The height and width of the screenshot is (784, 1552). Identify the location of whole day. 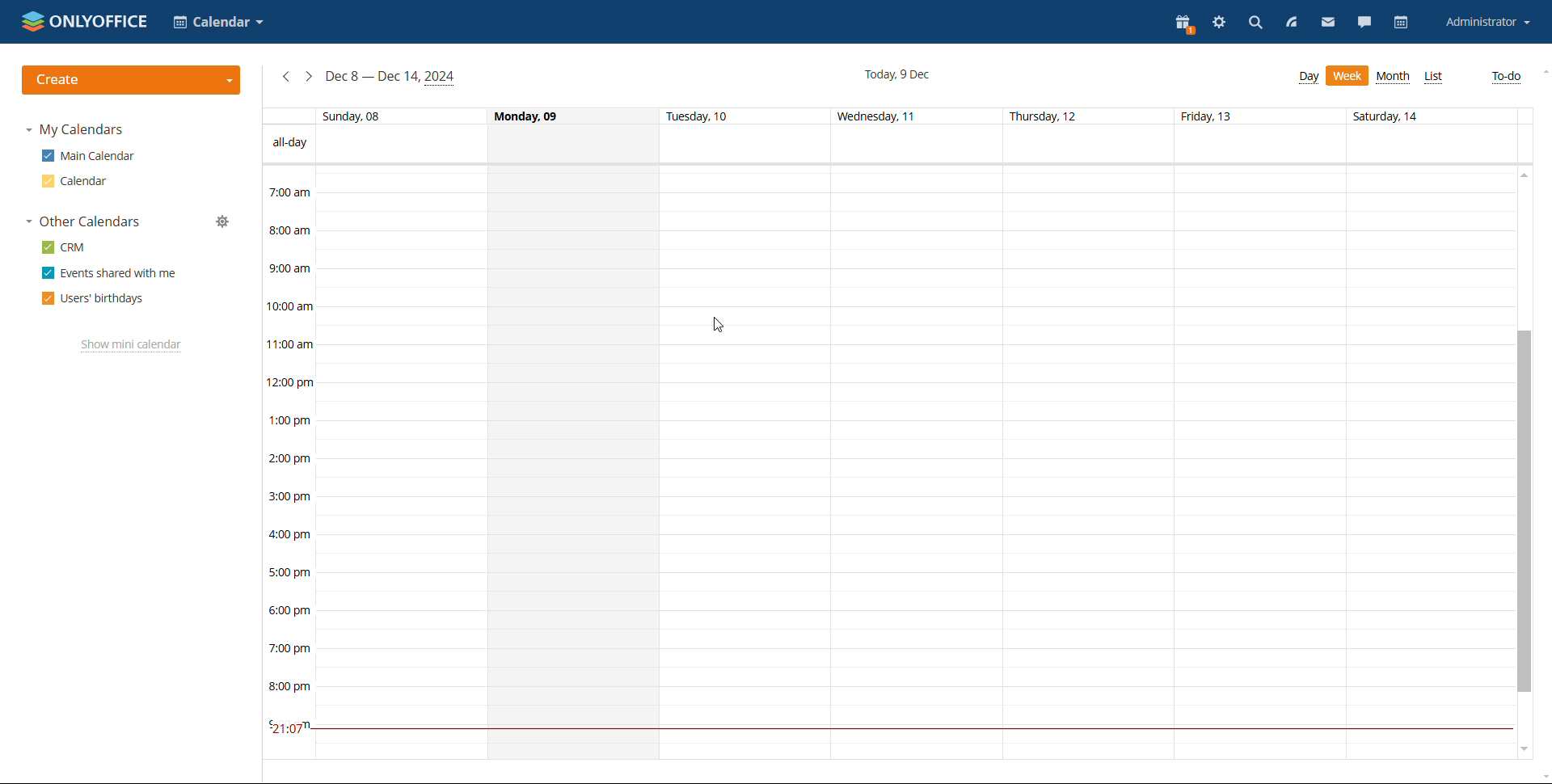
(573, 462).